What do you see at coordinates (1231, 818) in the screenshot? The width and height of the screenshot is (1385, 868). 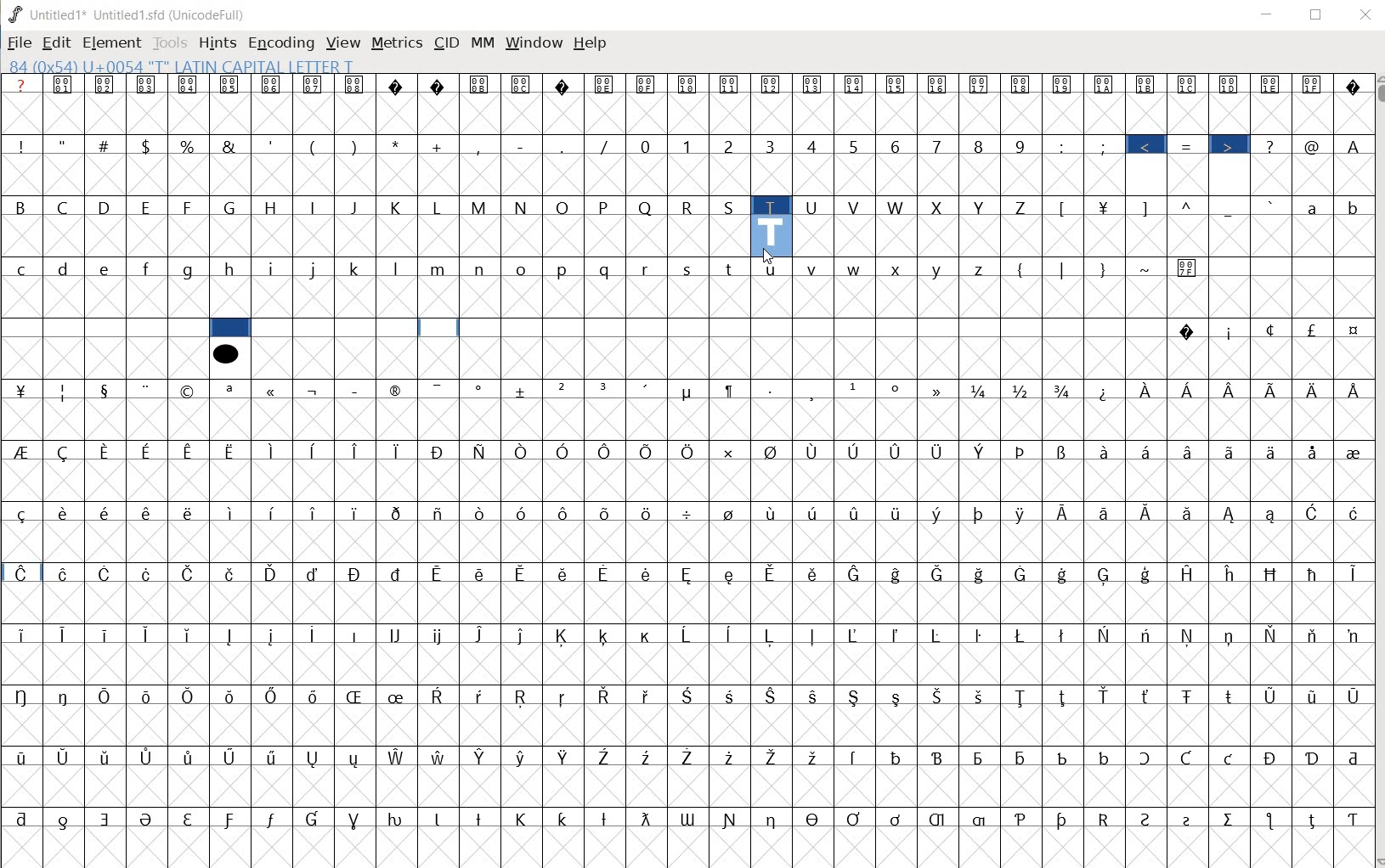 I see `Symbol` at bounding box center [1231, 818].